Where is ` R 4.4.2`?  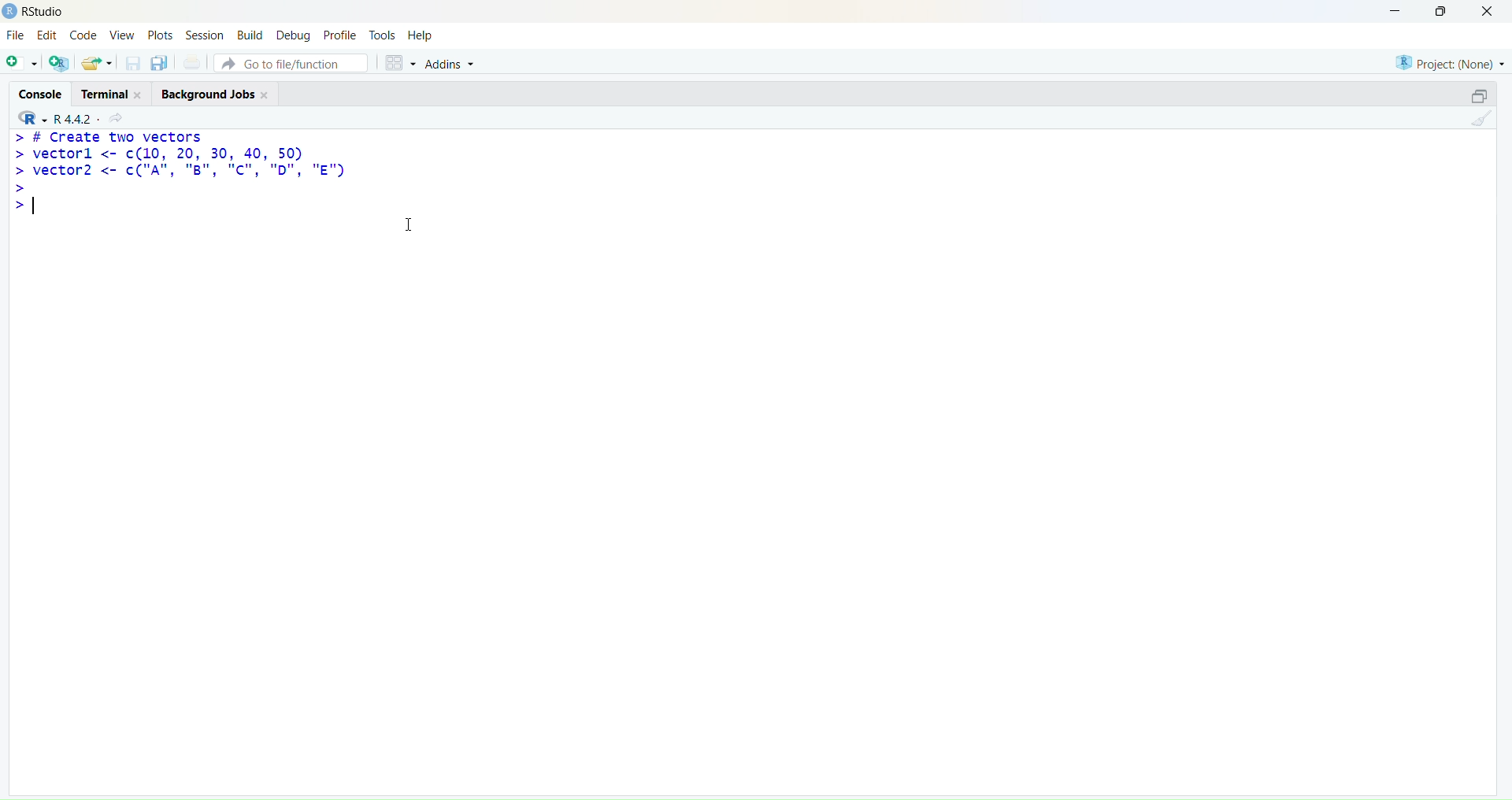
 R 4.4.2 is located at coordinates (53, 119).